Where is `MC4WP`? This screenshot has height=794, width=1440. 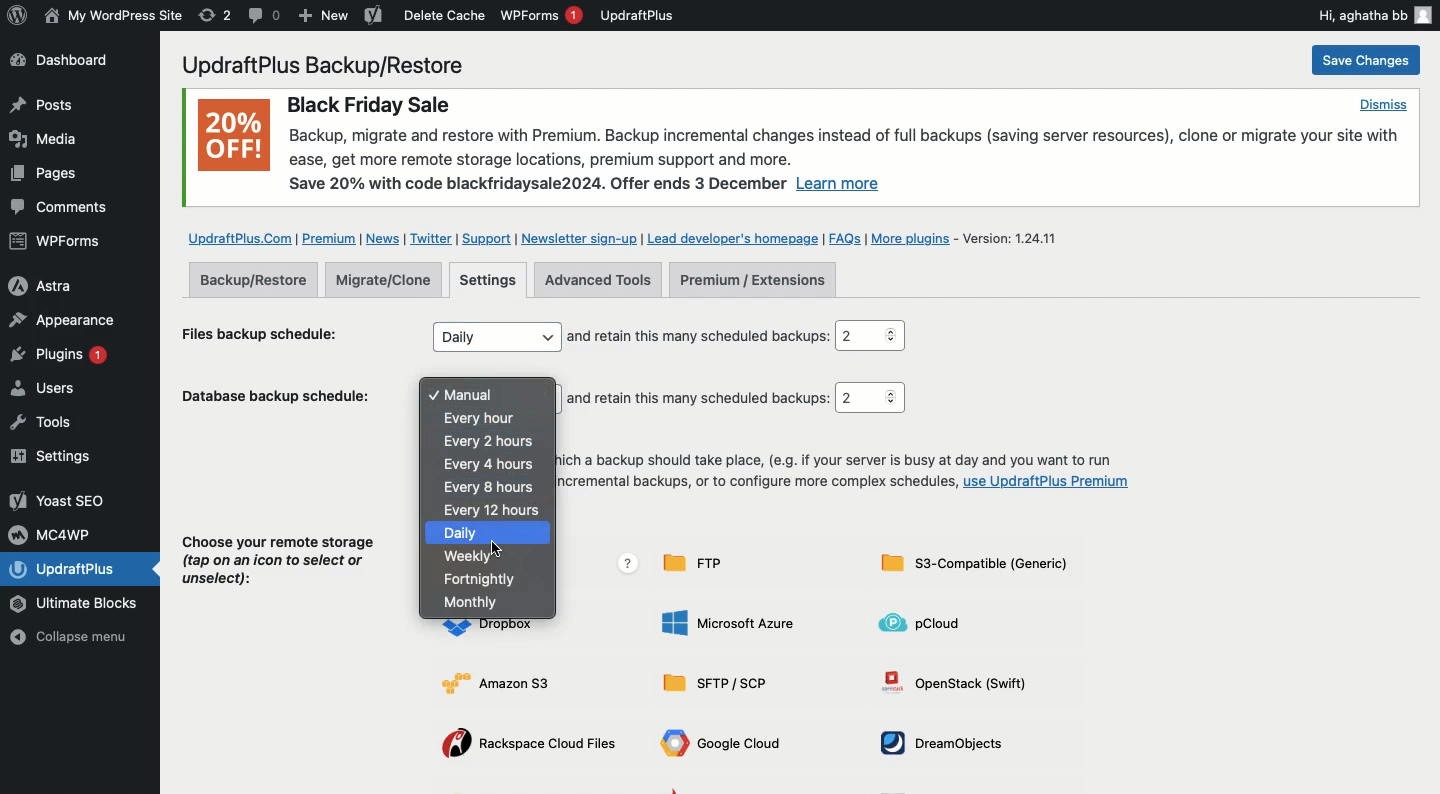
MC4WP is located at coordinates (55, 533).